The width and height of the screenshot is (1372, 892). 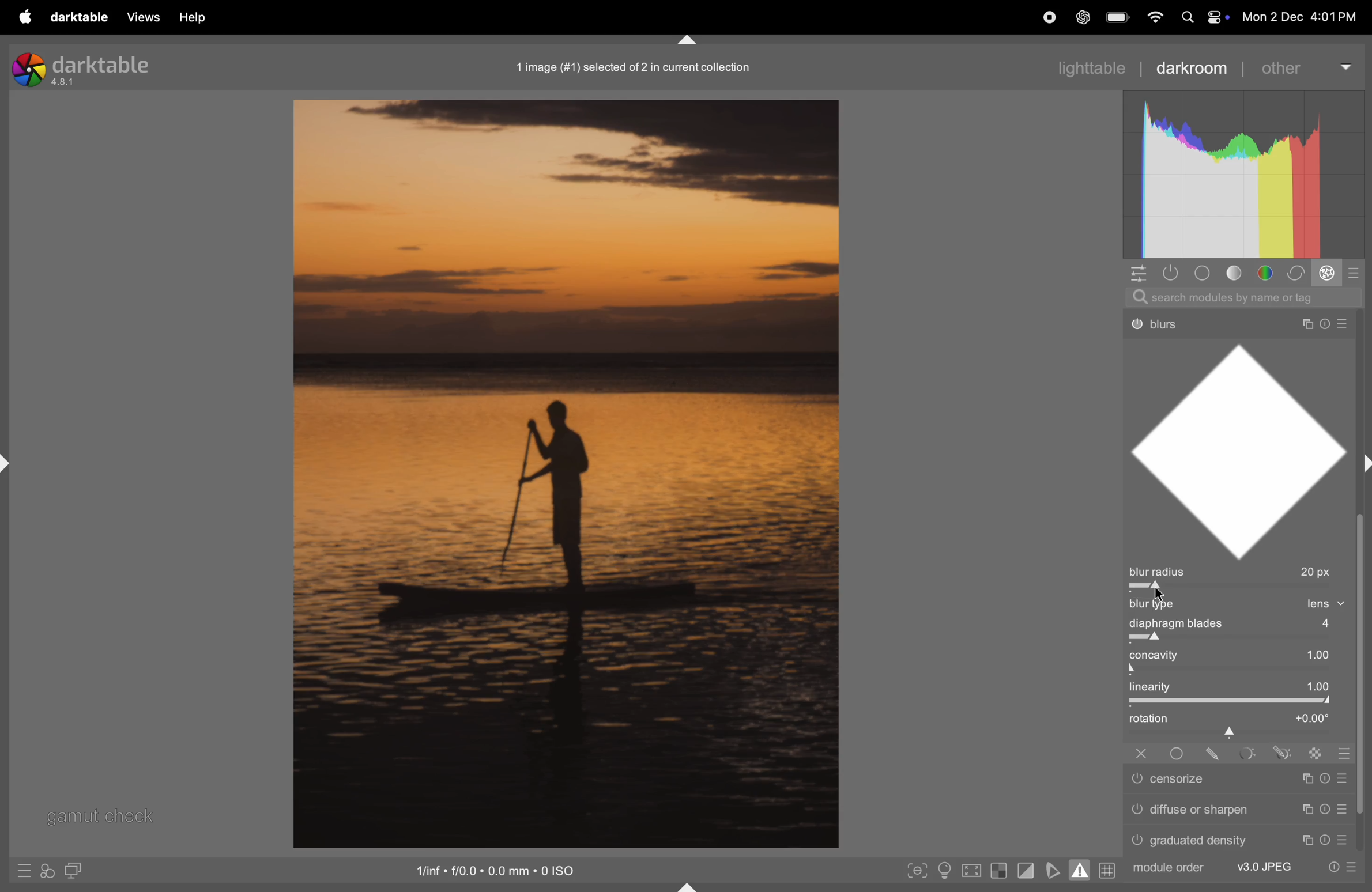 What do you see at coordinates (1162, 591) in the screenshot?
I see `cursor` at bounding box center [1162, 591].